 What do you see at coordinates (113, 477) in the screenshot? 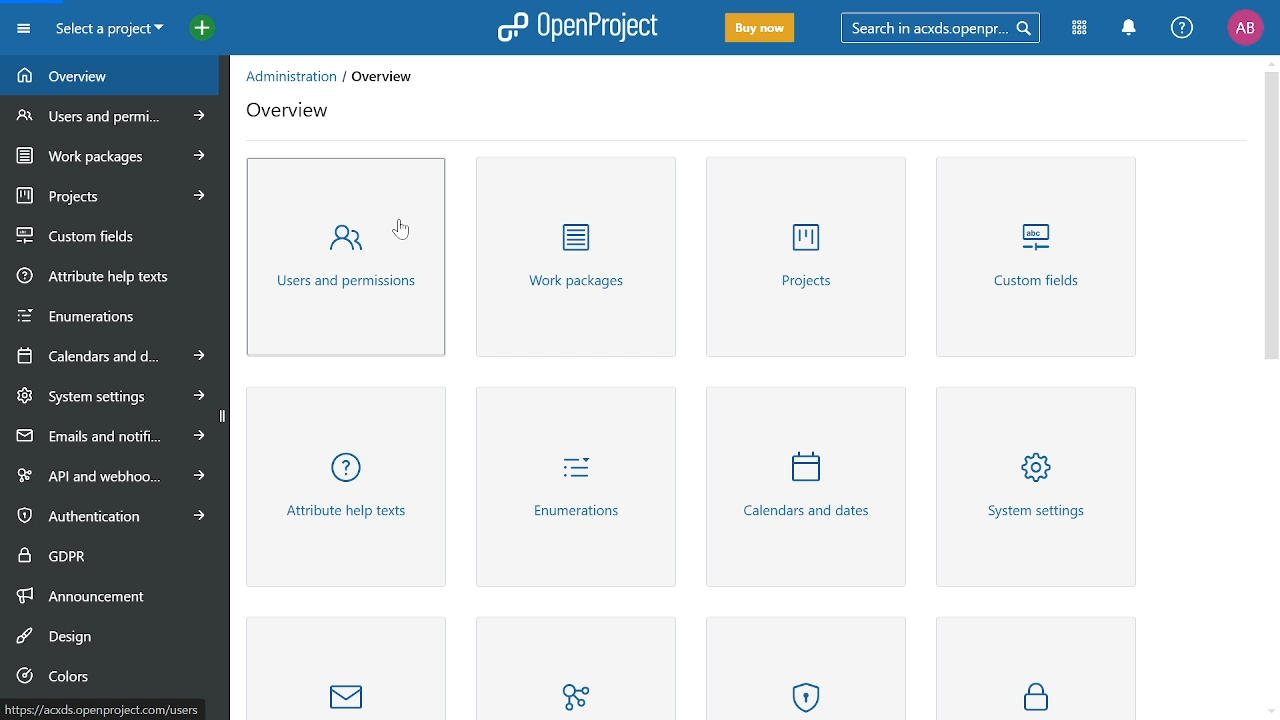
I see `API and webhooks` at bounding box center [113, 477].